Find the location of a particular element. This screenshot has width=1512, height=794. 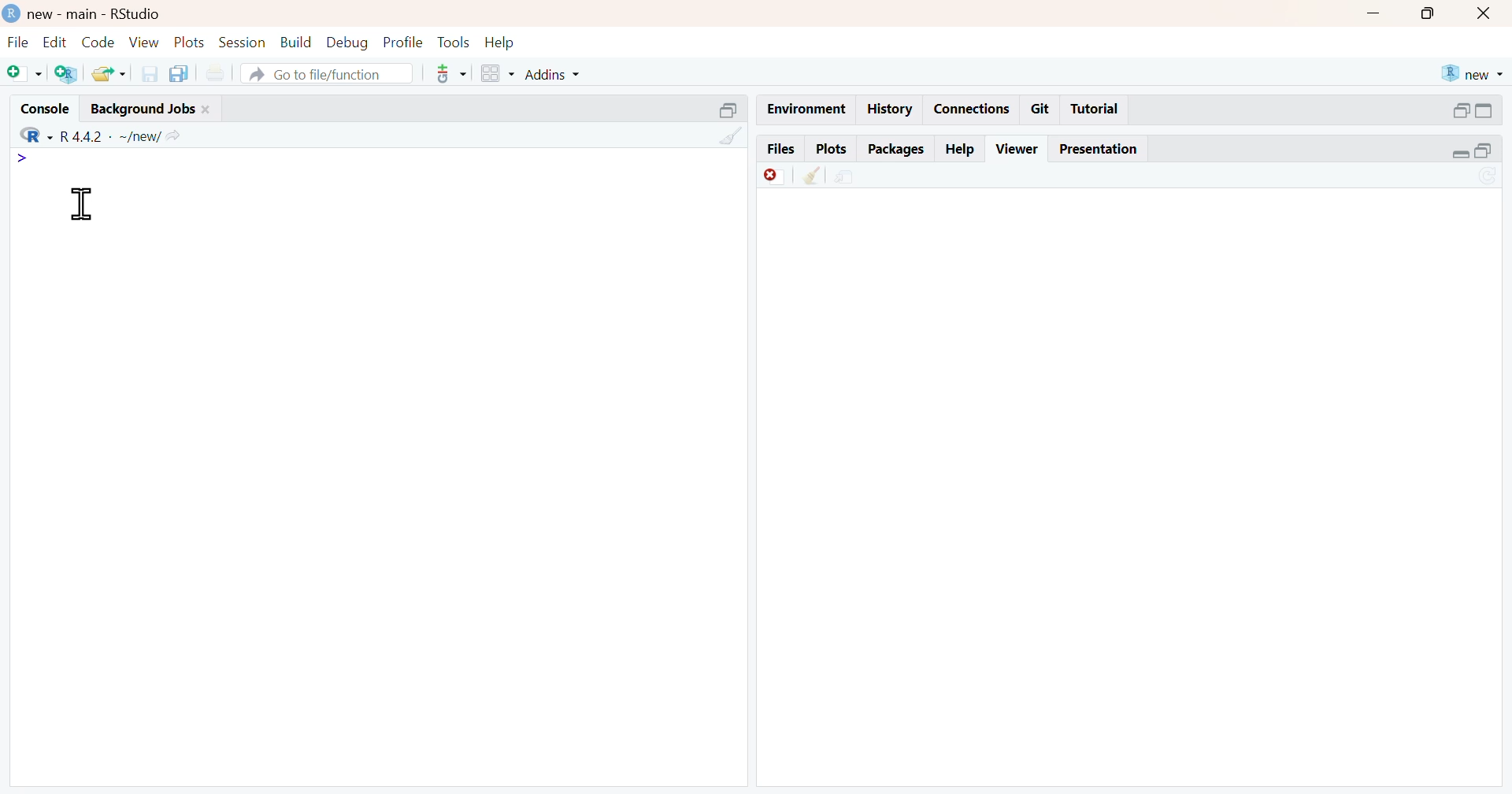

remove current viewer is located at coordinates (771, 177).